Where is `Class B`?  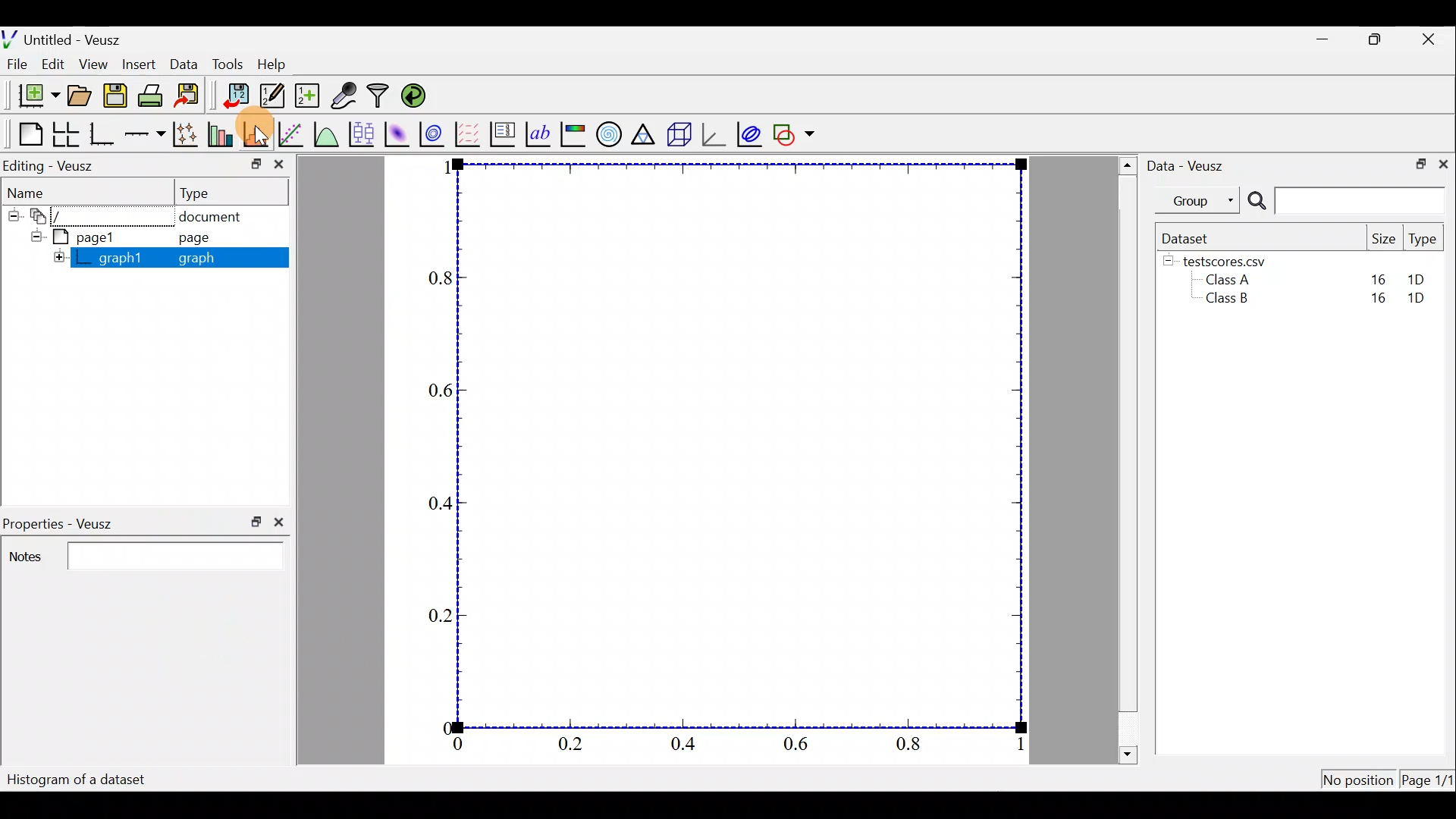 Class B is located at coordinates (1225, 301).